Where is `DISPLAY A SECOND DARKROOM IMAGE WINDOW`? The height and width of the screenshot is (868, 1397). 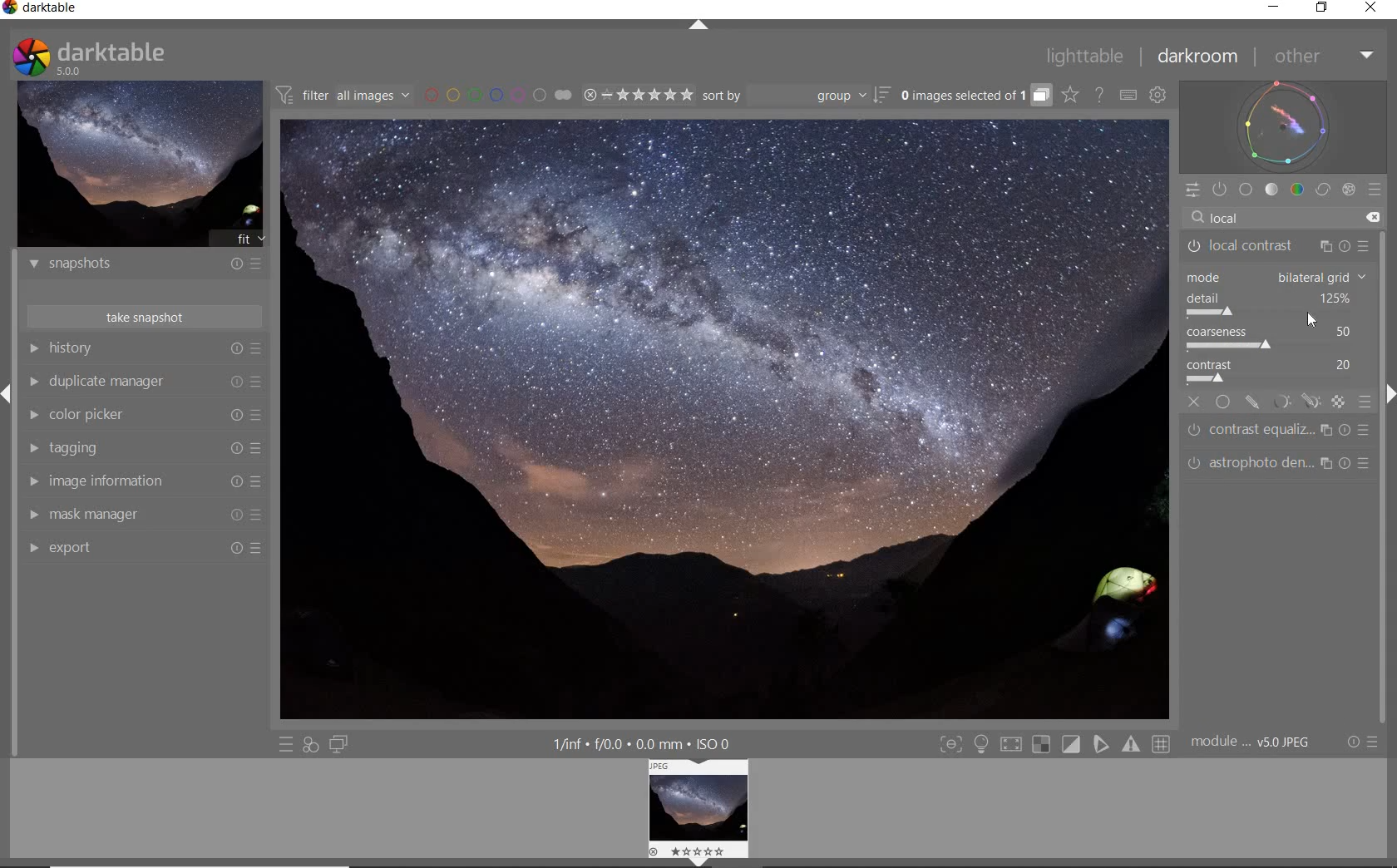 DISPLAY A SECOND DARKROOM IMAGE WINDOW is located at coordinates (338, 745).